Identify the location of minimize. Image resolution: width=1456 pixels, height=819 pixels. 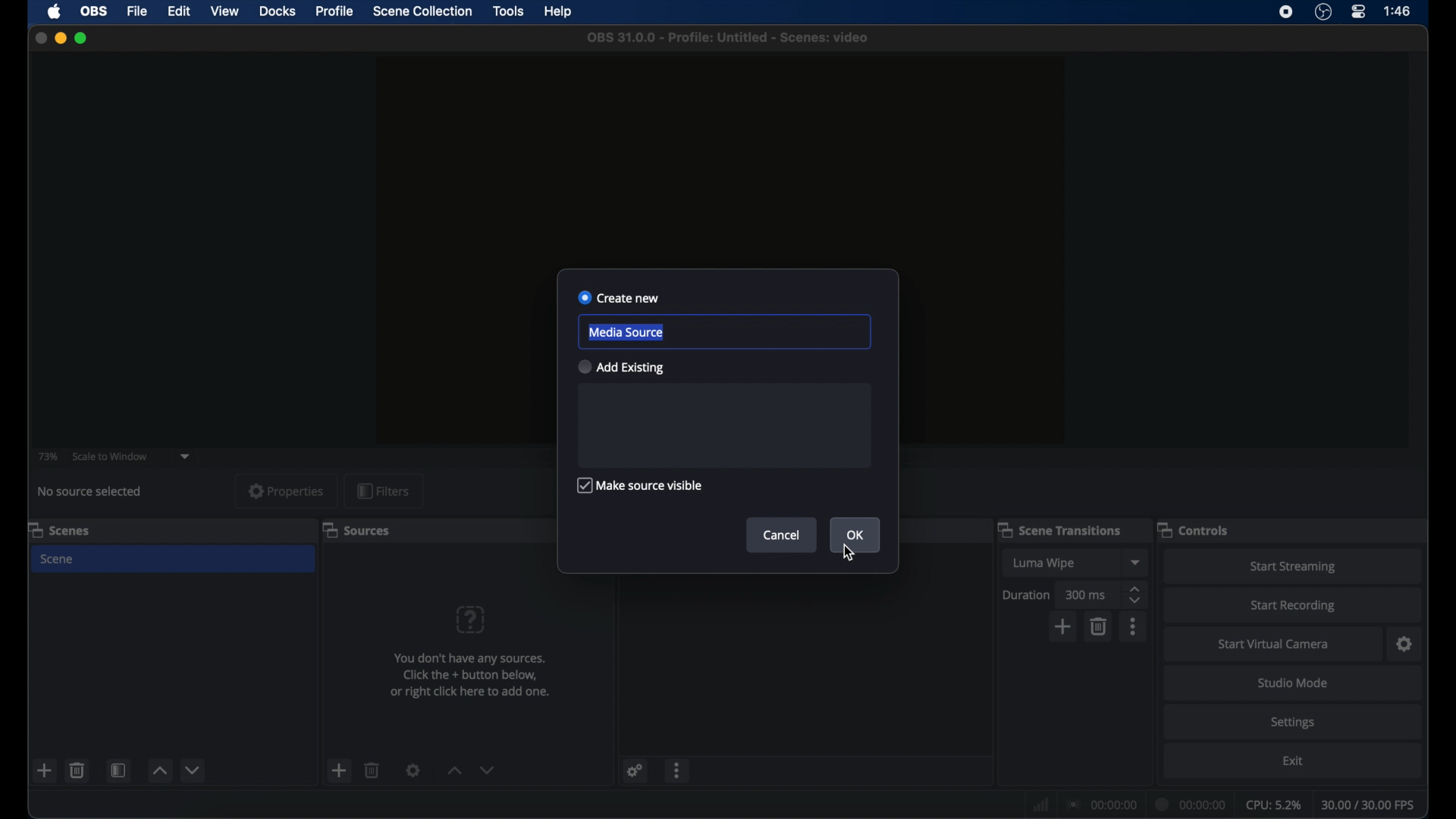
(60, 38).